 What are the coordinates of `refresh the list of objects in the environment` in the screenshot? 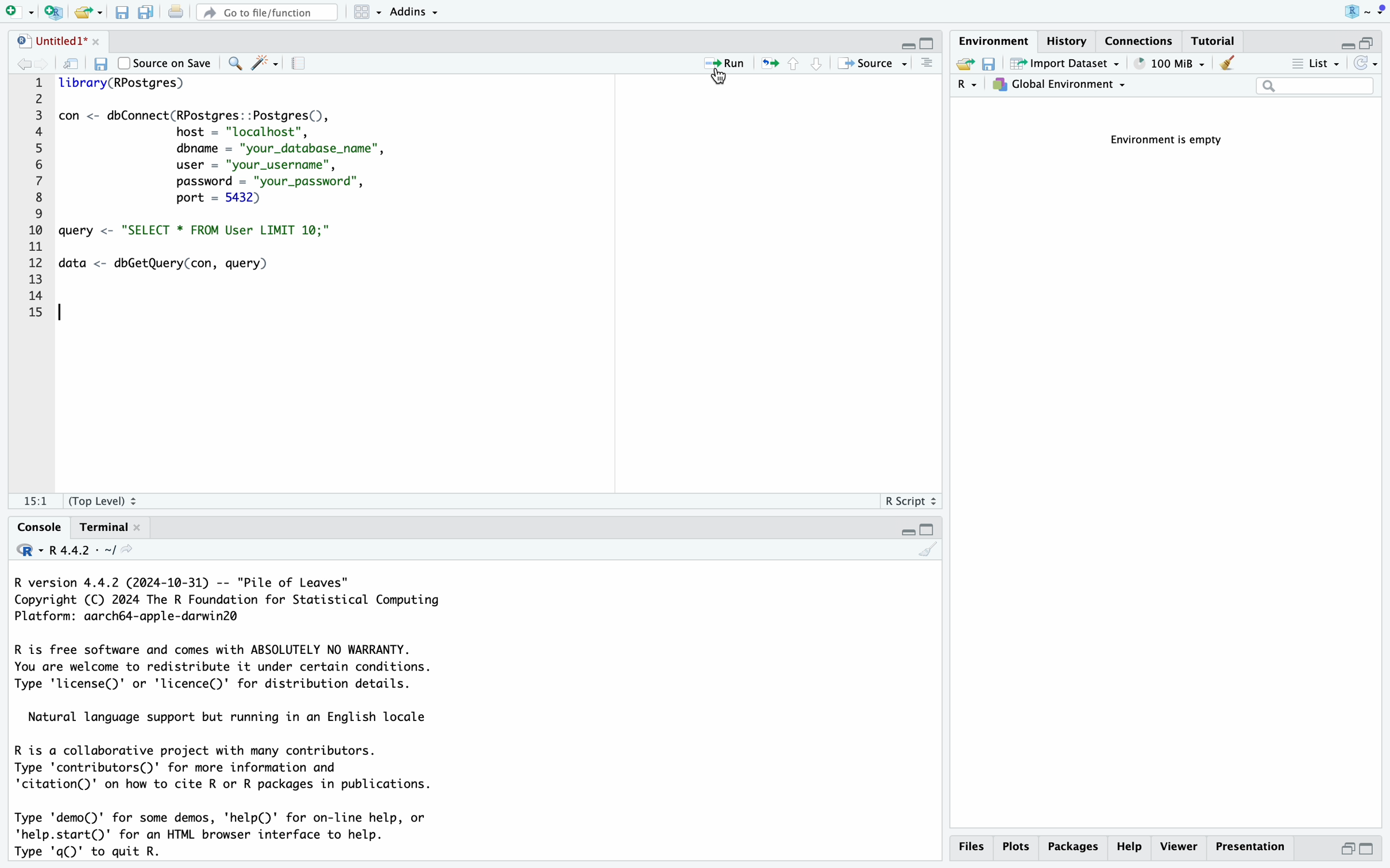 It's located at (1368, 65).